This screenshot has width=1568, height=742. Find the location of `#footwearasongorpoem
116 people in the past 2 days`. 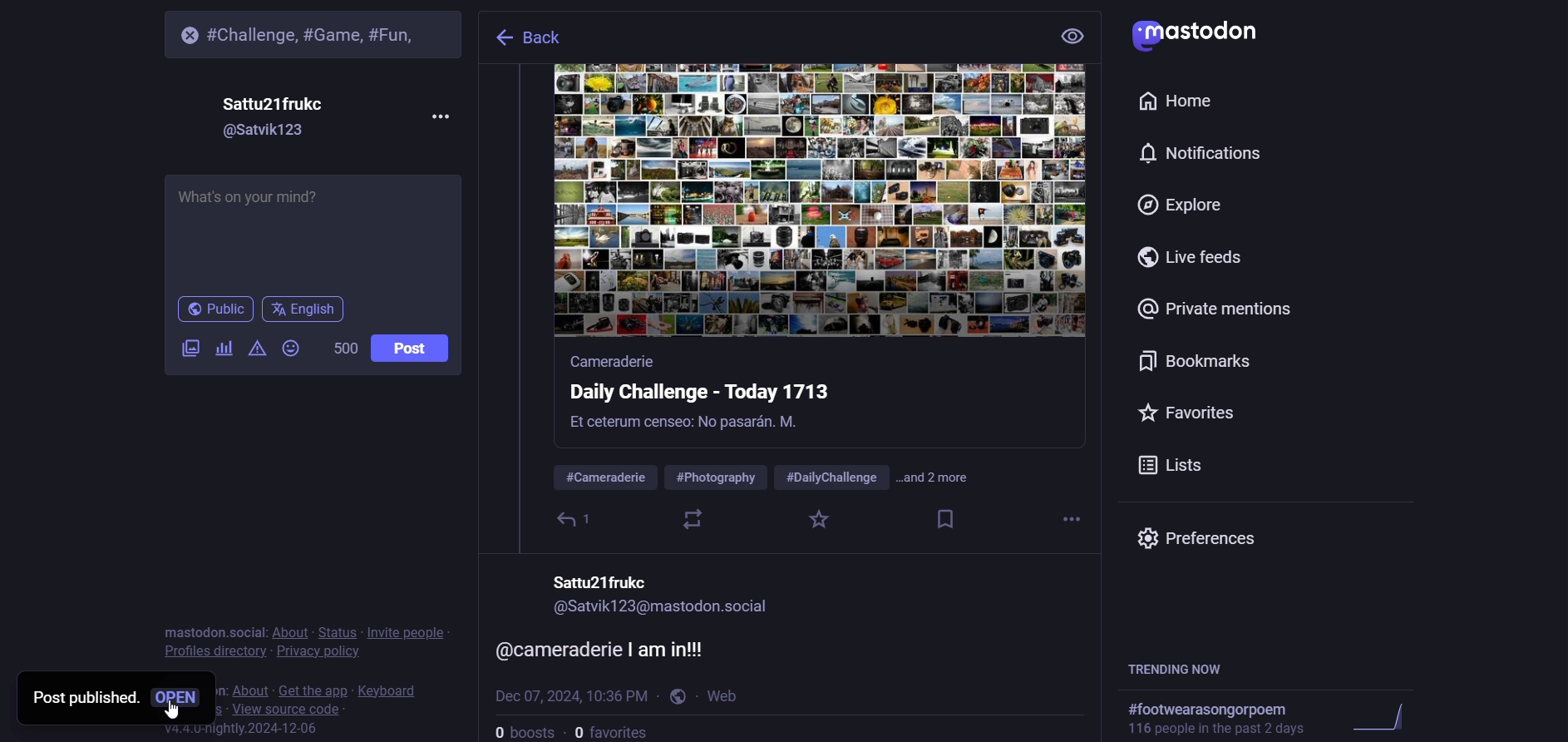

#footwearasongorpoem
116 people in the past 2 days is located at coordinates (1304, 719).